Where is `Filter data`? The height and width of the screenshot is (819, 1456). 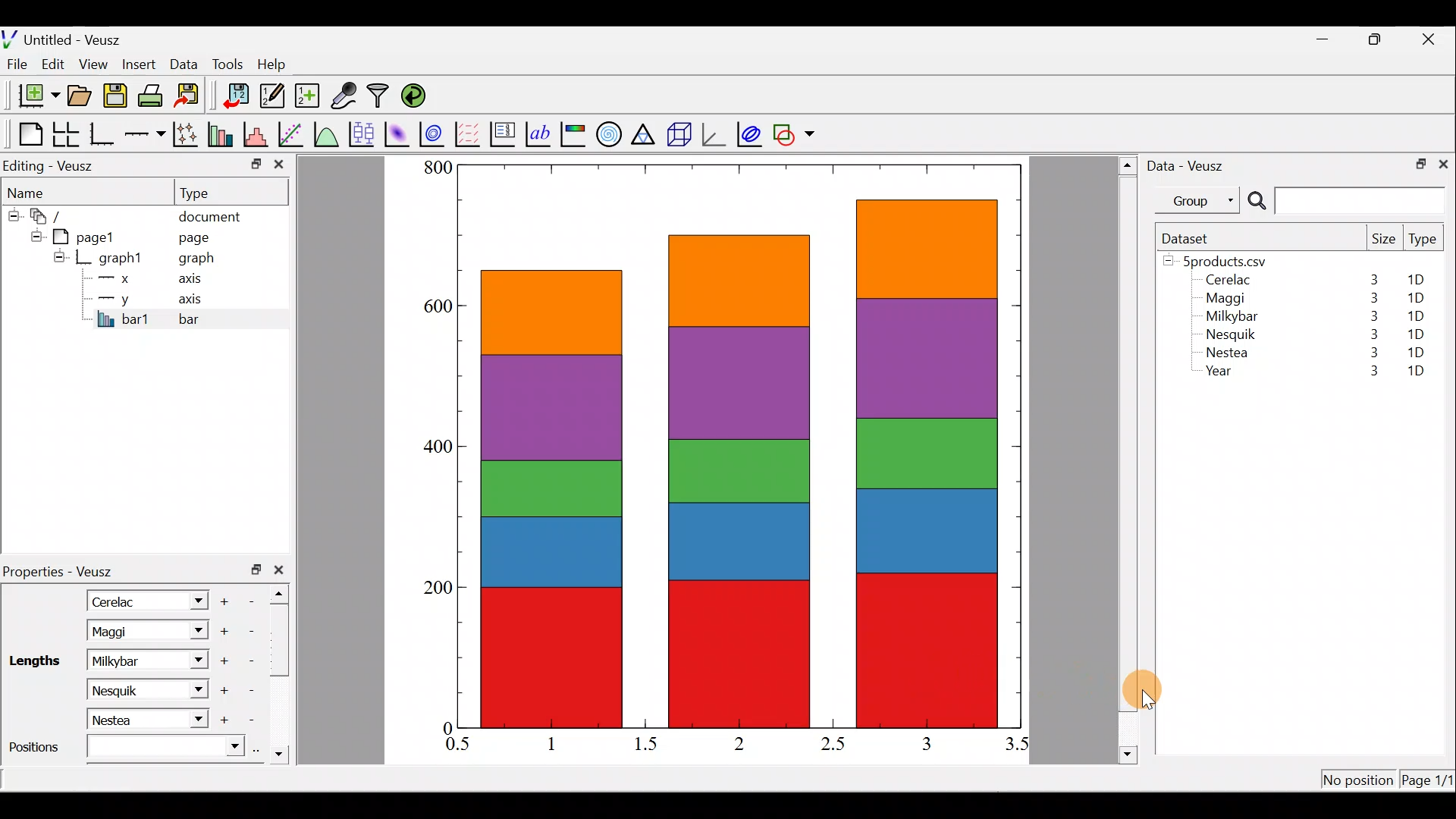 Filter data is located at coordinates (381, 97).